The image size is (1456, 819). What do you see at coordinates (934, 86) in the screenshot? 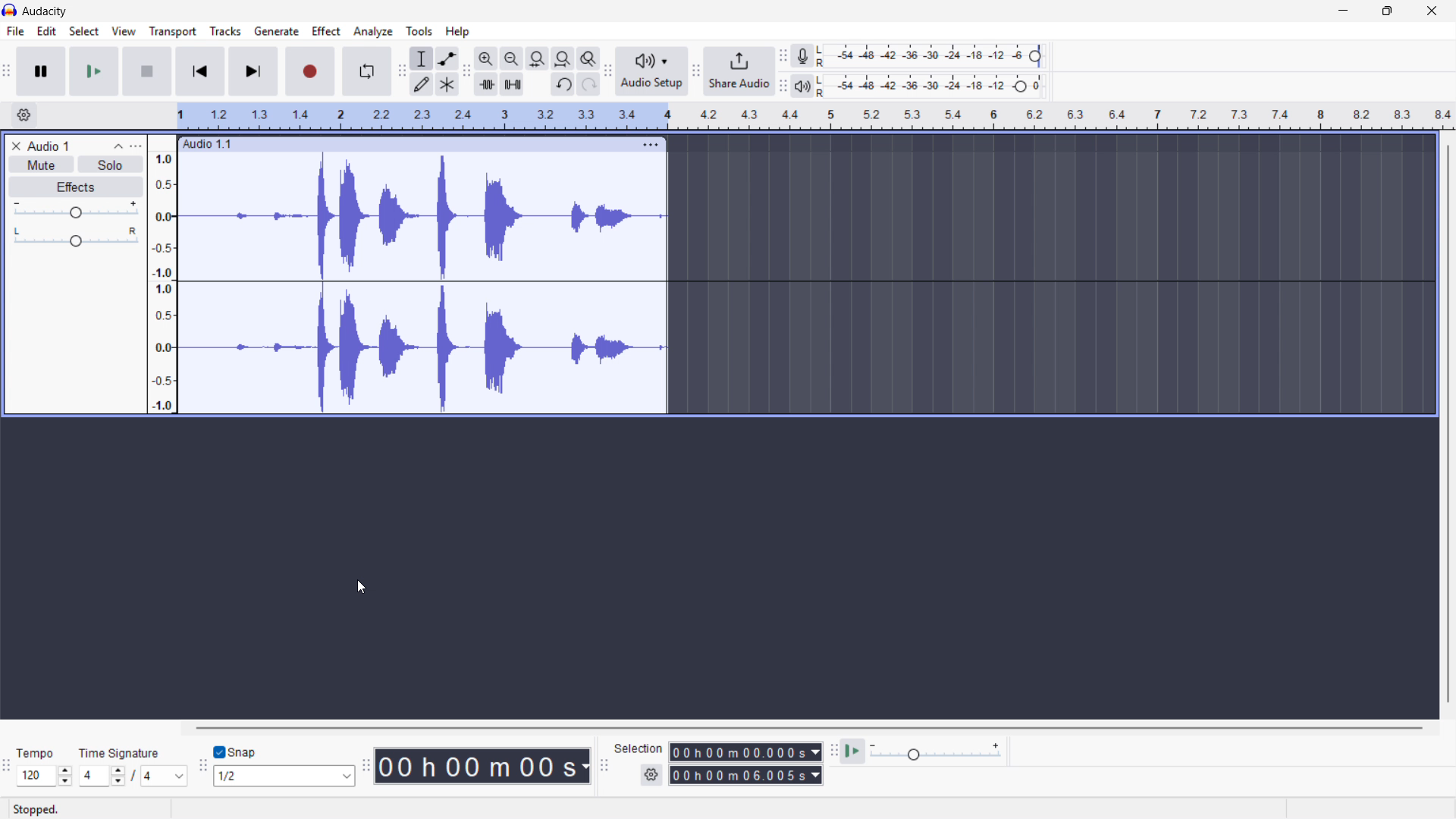
I see `Playback level` at bounding box center [934, 86].